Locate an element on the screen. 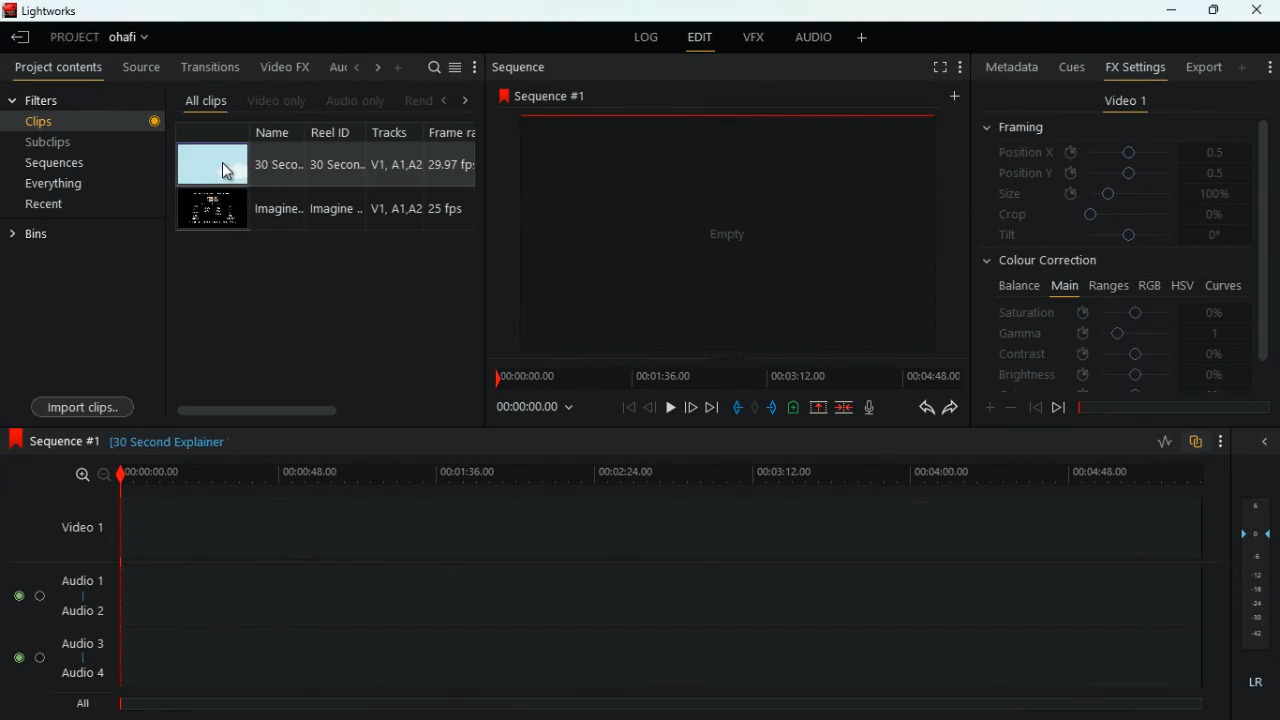 The height and width of the screenshot is (720, 1280). reel id is located at coordinates (337, 131).